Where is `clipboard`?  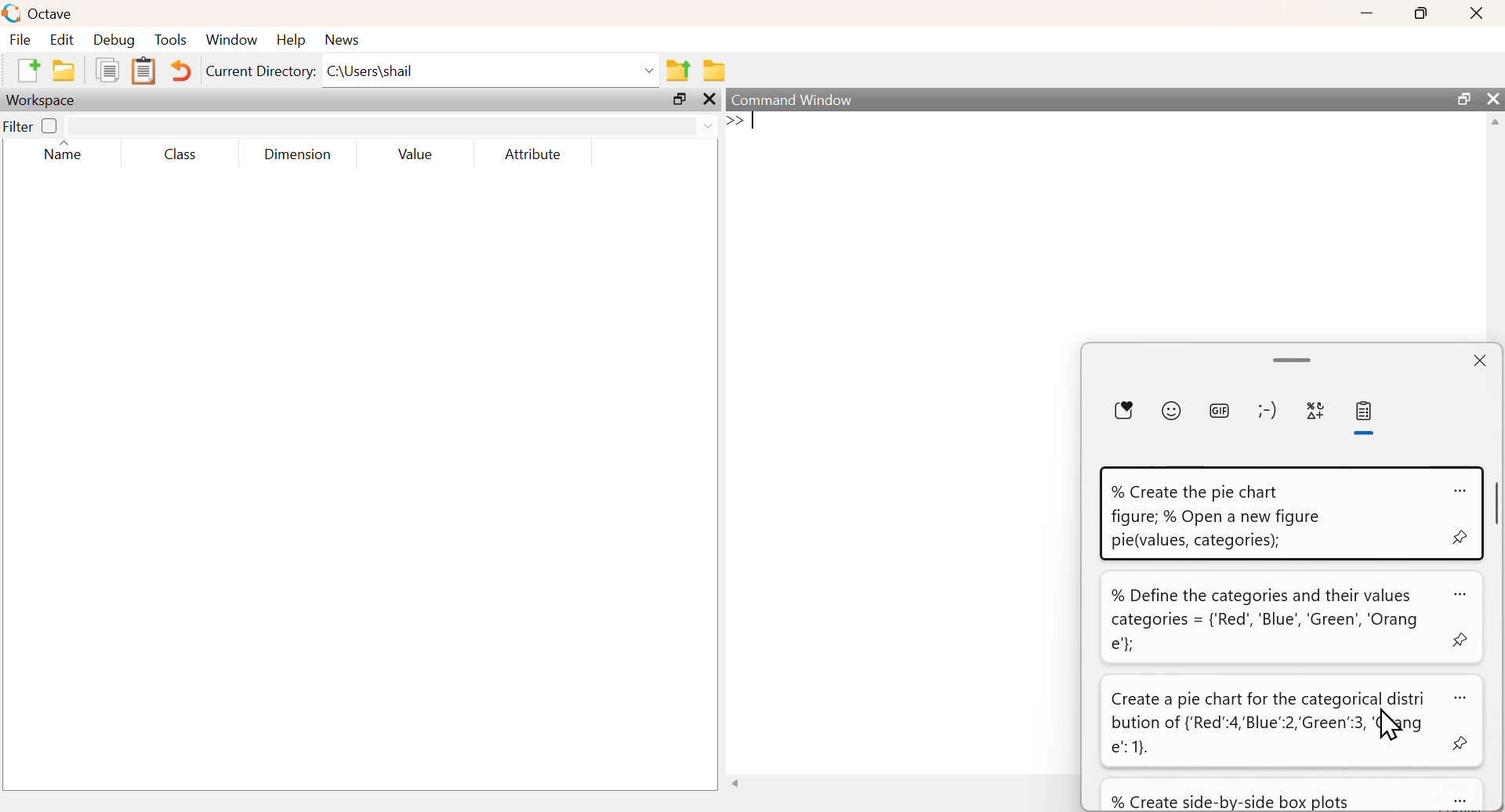
clipboard is located at coordinates (1368, 411).